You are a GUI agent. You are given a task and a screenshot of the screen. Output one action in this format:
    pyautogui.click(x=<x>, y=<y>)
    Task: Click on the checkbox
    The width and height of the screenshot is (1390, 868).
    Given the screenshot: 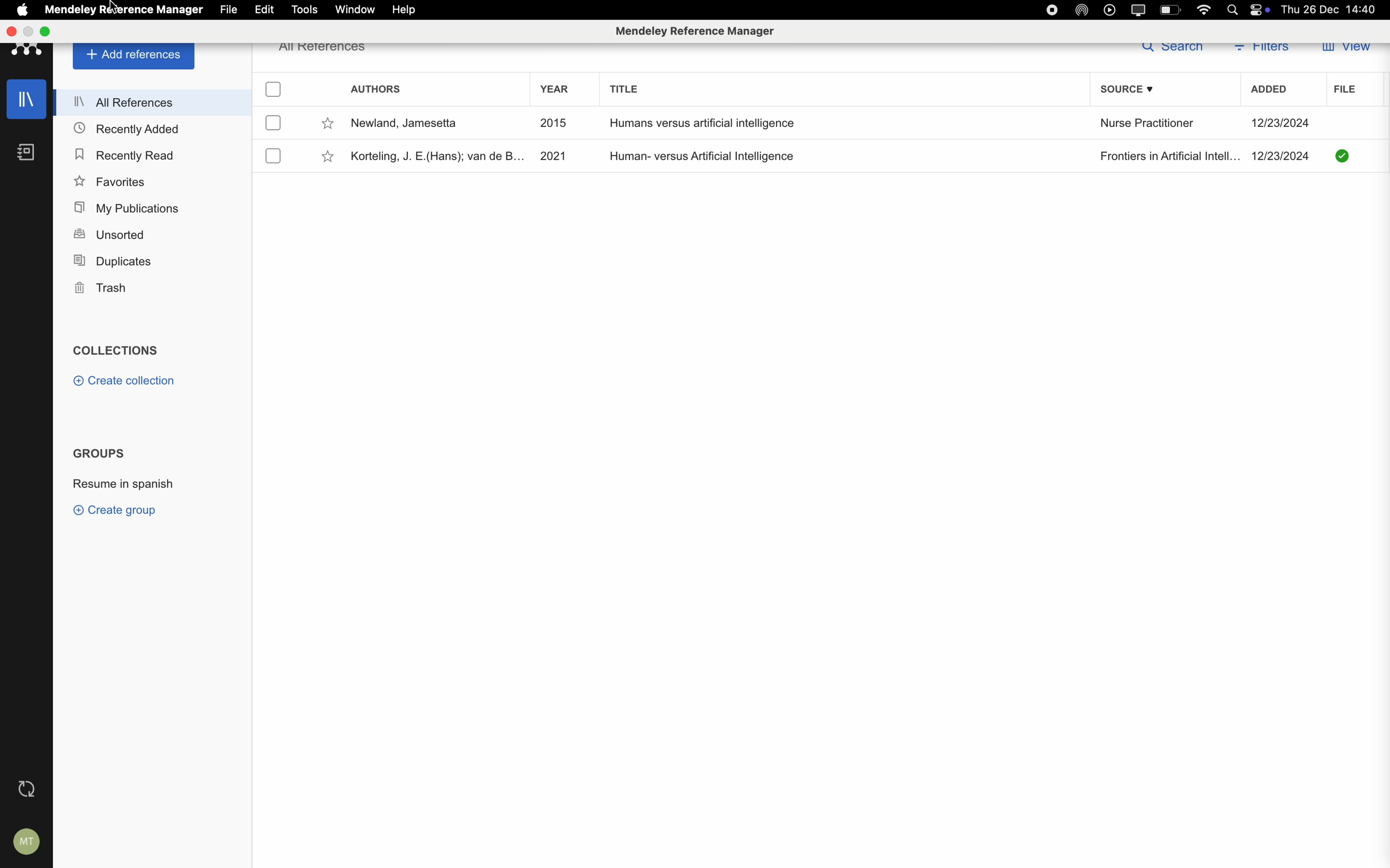 What is the action you would take?
    pyautogui.click(x=274, y=157)
    